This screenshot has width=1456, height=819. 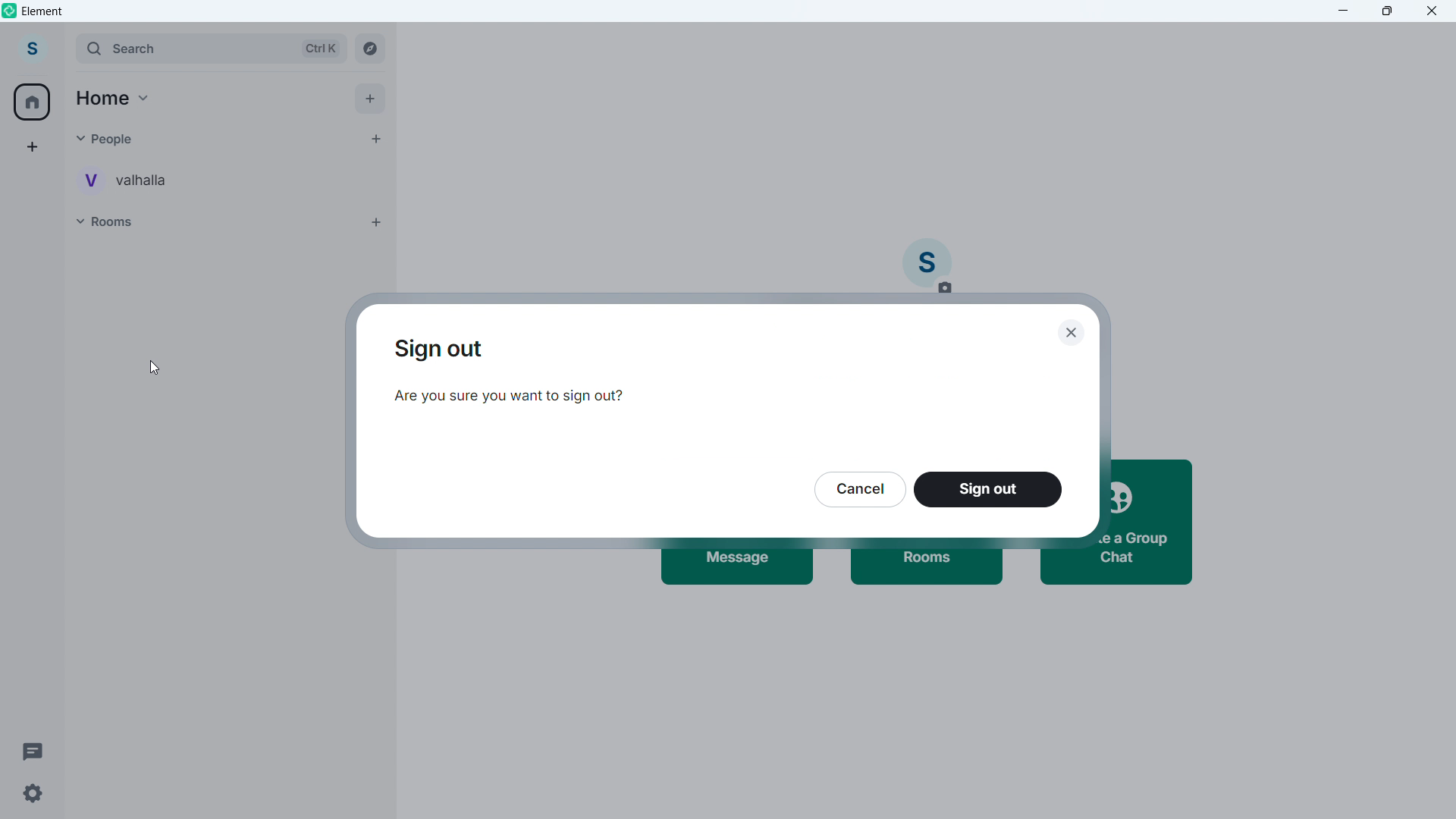 I want to click on Rooms , so click(x=214, y=221).